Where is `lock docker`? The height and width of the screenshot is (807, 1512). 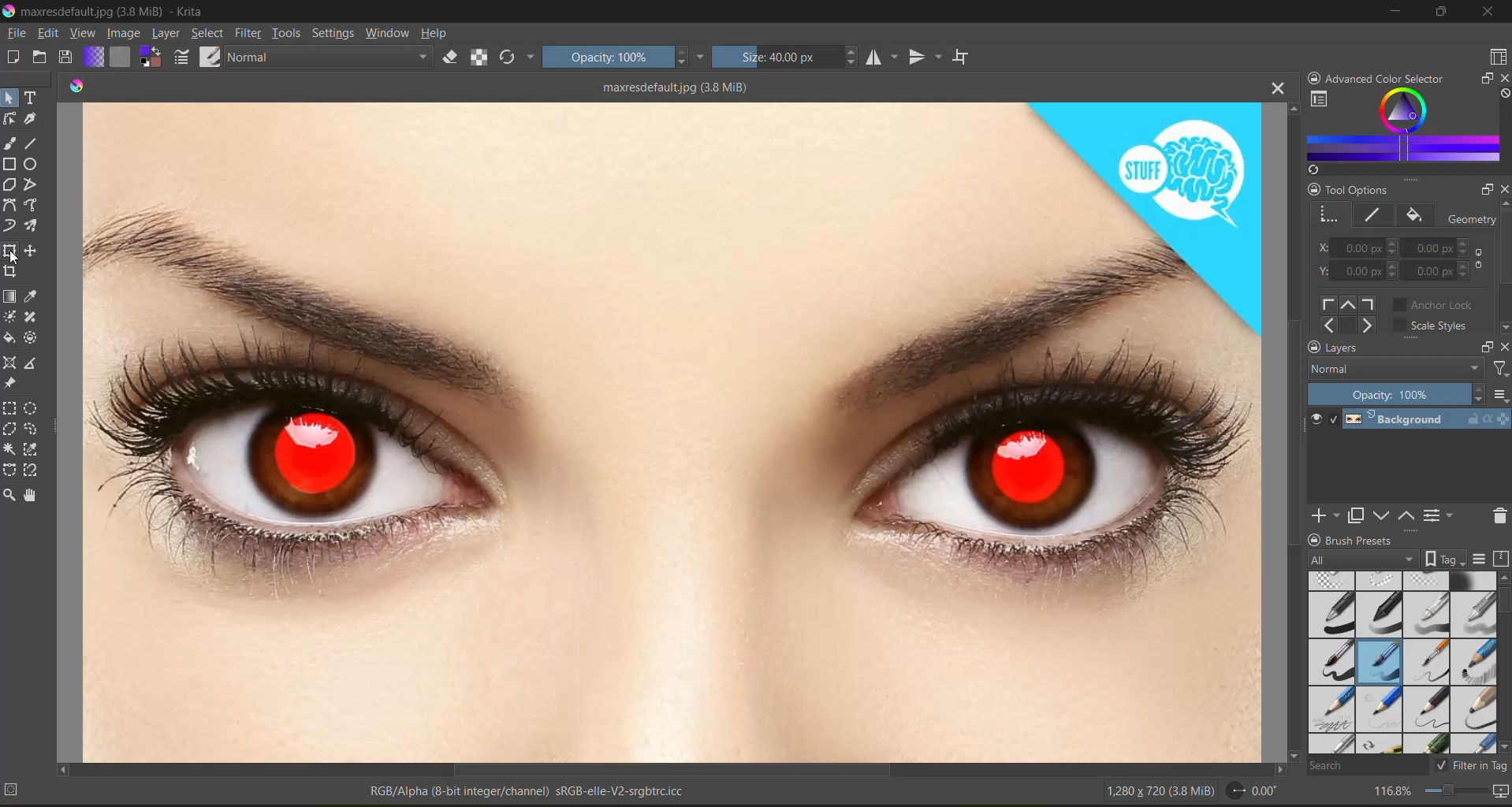
lock docker is located at coordinates (1315, 540).